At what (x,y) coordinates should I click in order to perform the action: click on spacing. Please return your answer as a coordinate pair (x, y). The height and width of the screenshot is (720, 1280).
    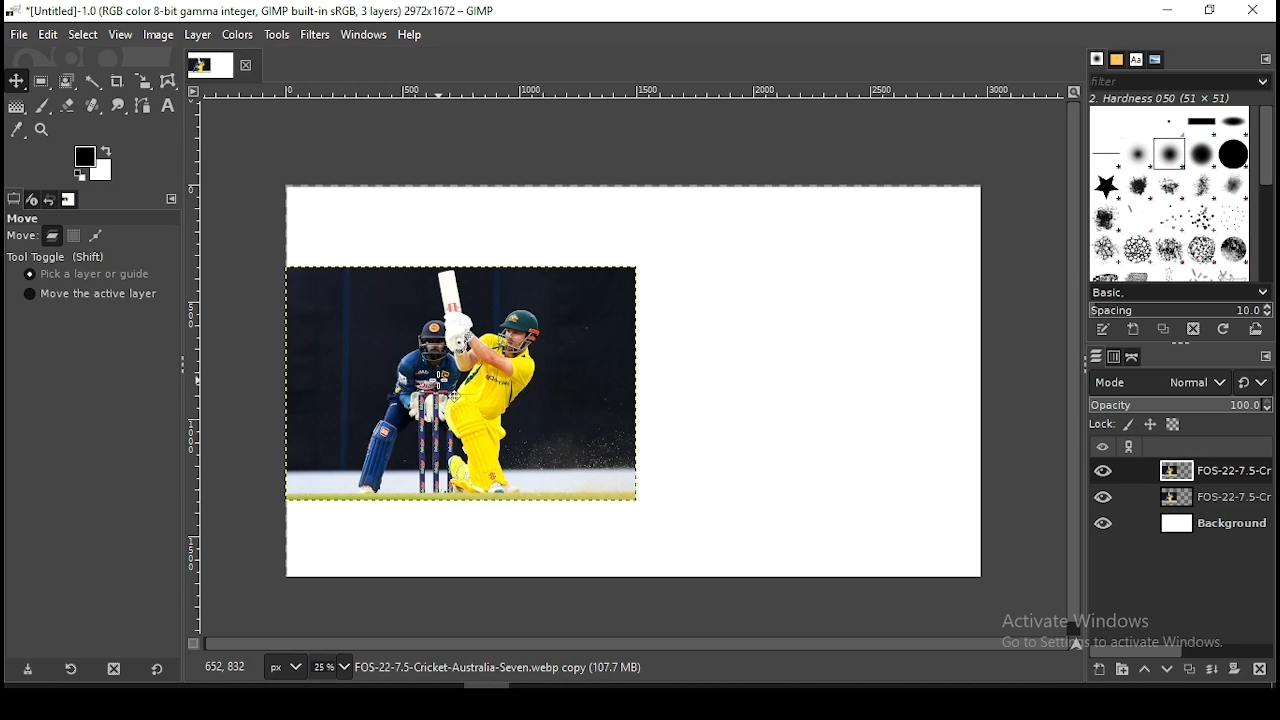
    Looking at the image, I should click on (1180, 309).